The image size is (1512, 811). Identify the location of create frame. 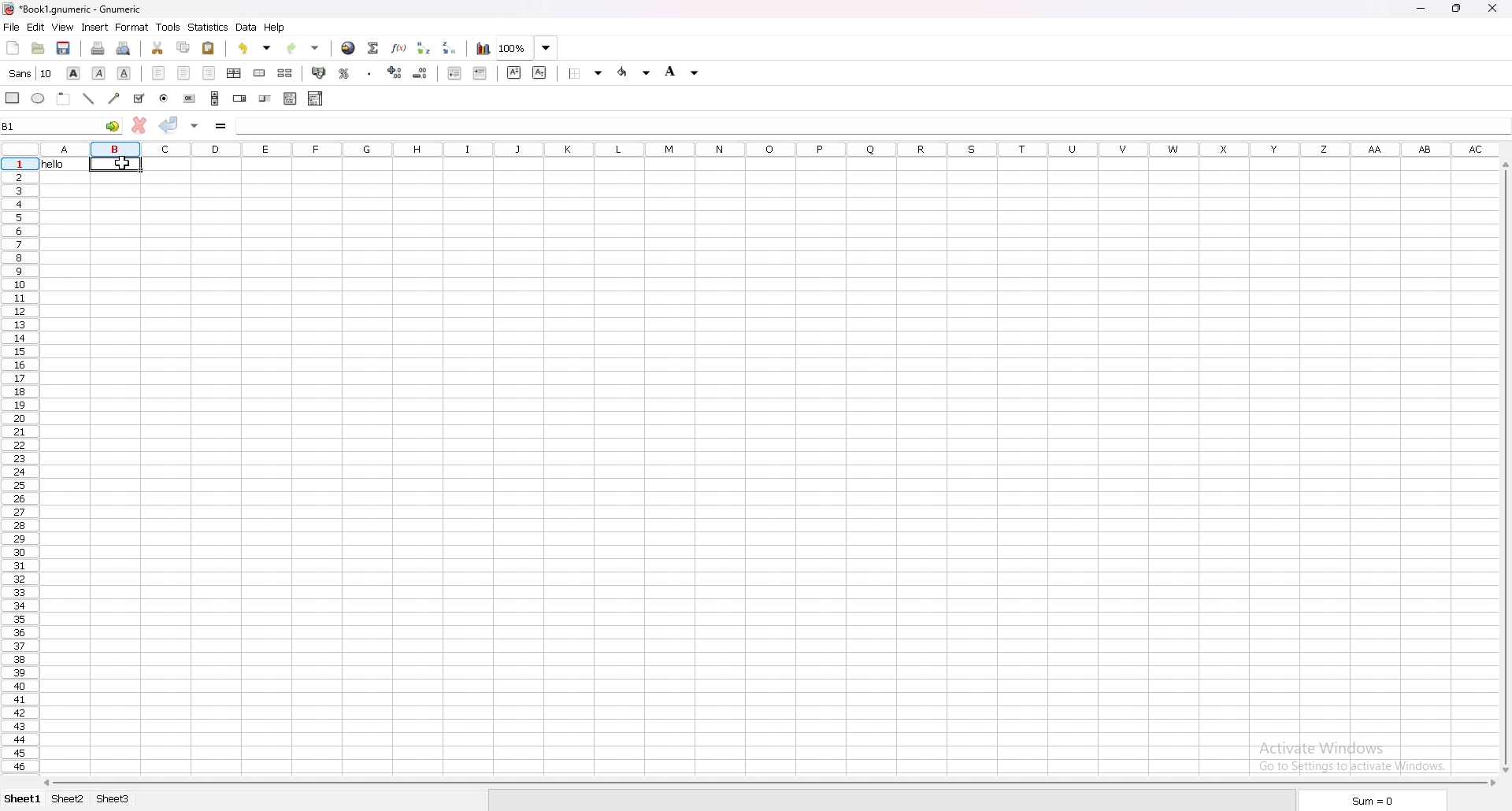
(65, 98).